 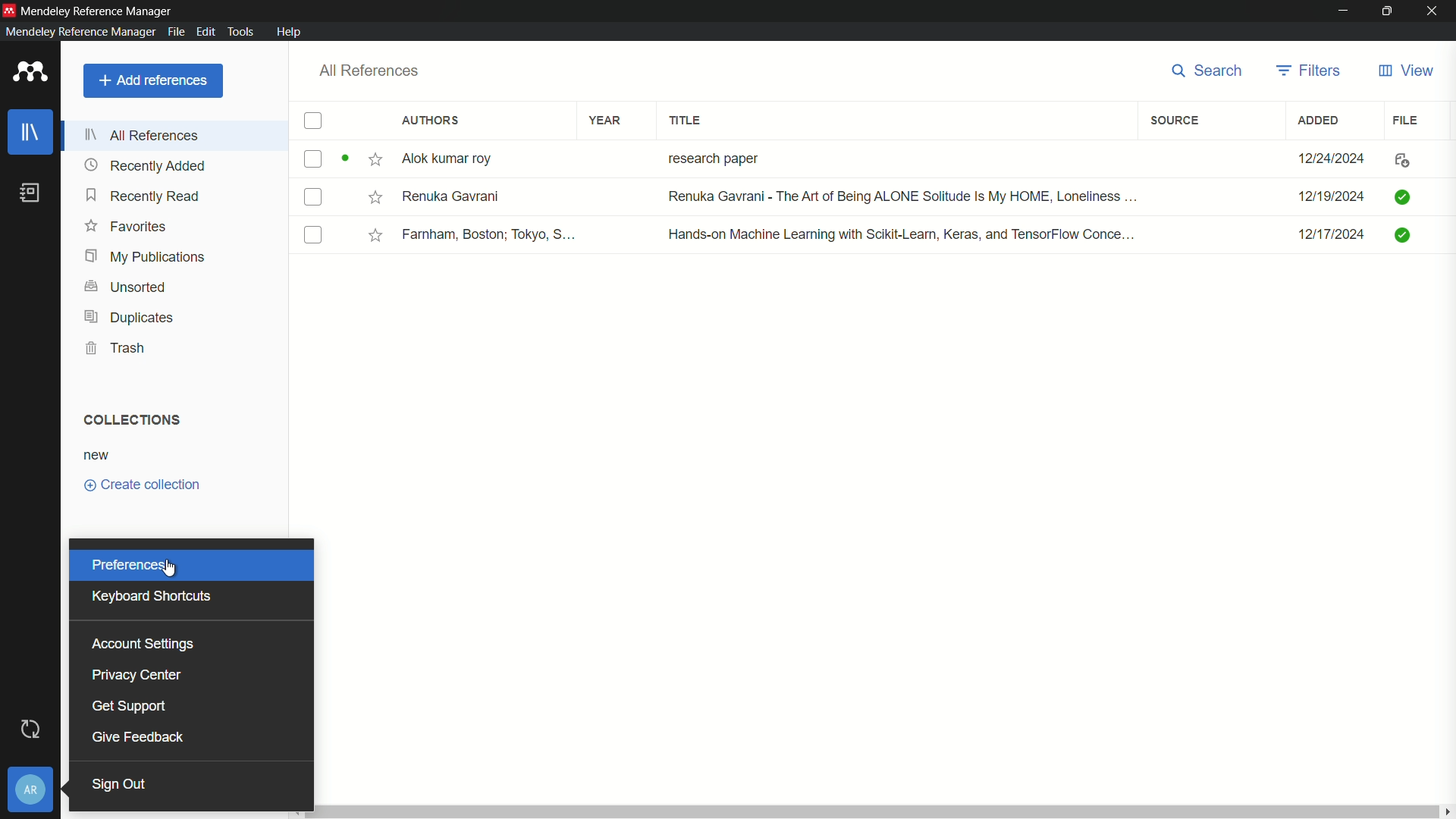 I want to click on preferences, so click(x=133, y=565).